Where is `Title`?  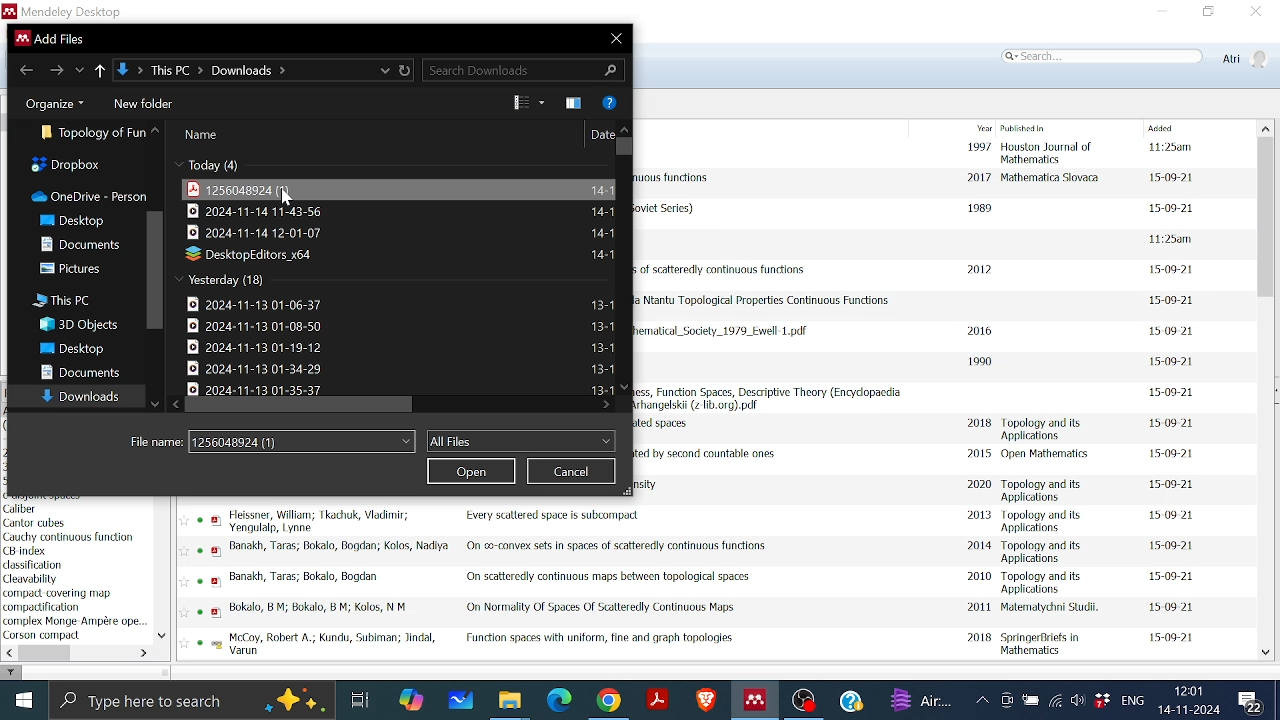
Title is located at coordinates (609, 577).